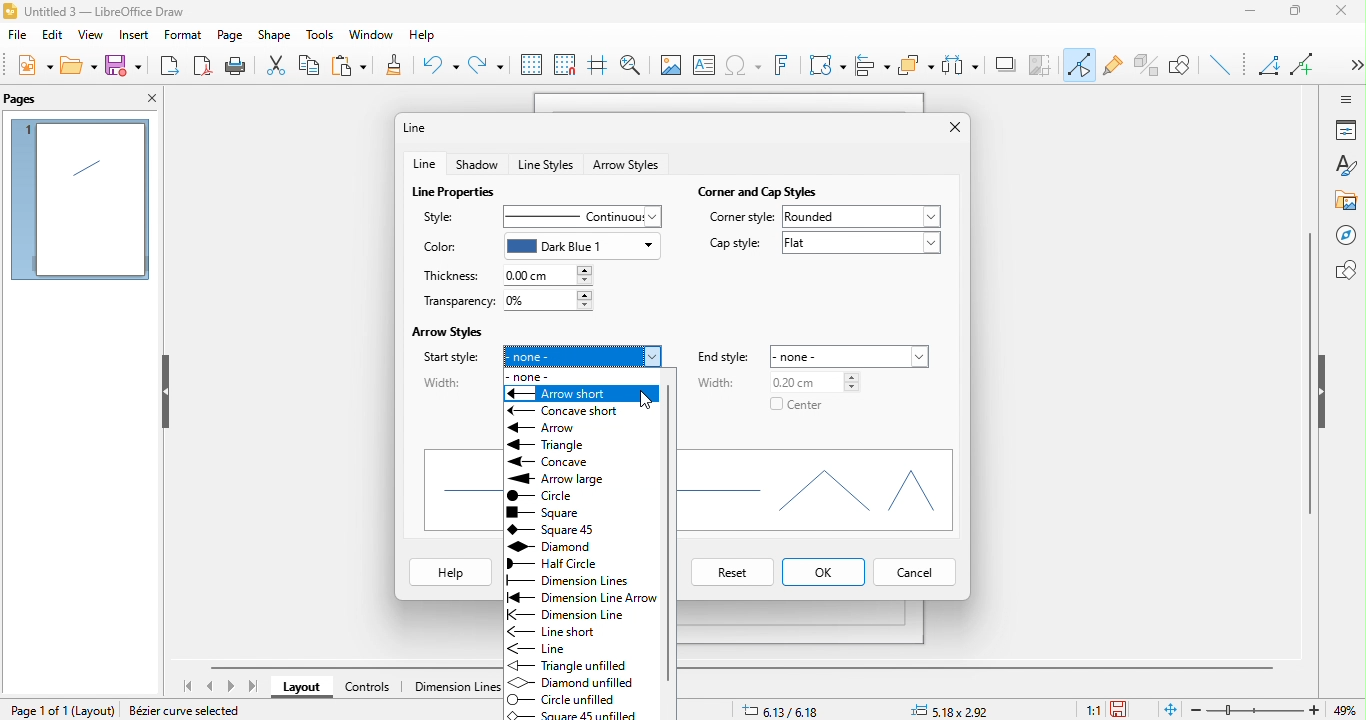 This screenshot has width=1366, height=720. Describe the element at coordinates (823, 492) in the screenshot. I see `shapes` at that location.